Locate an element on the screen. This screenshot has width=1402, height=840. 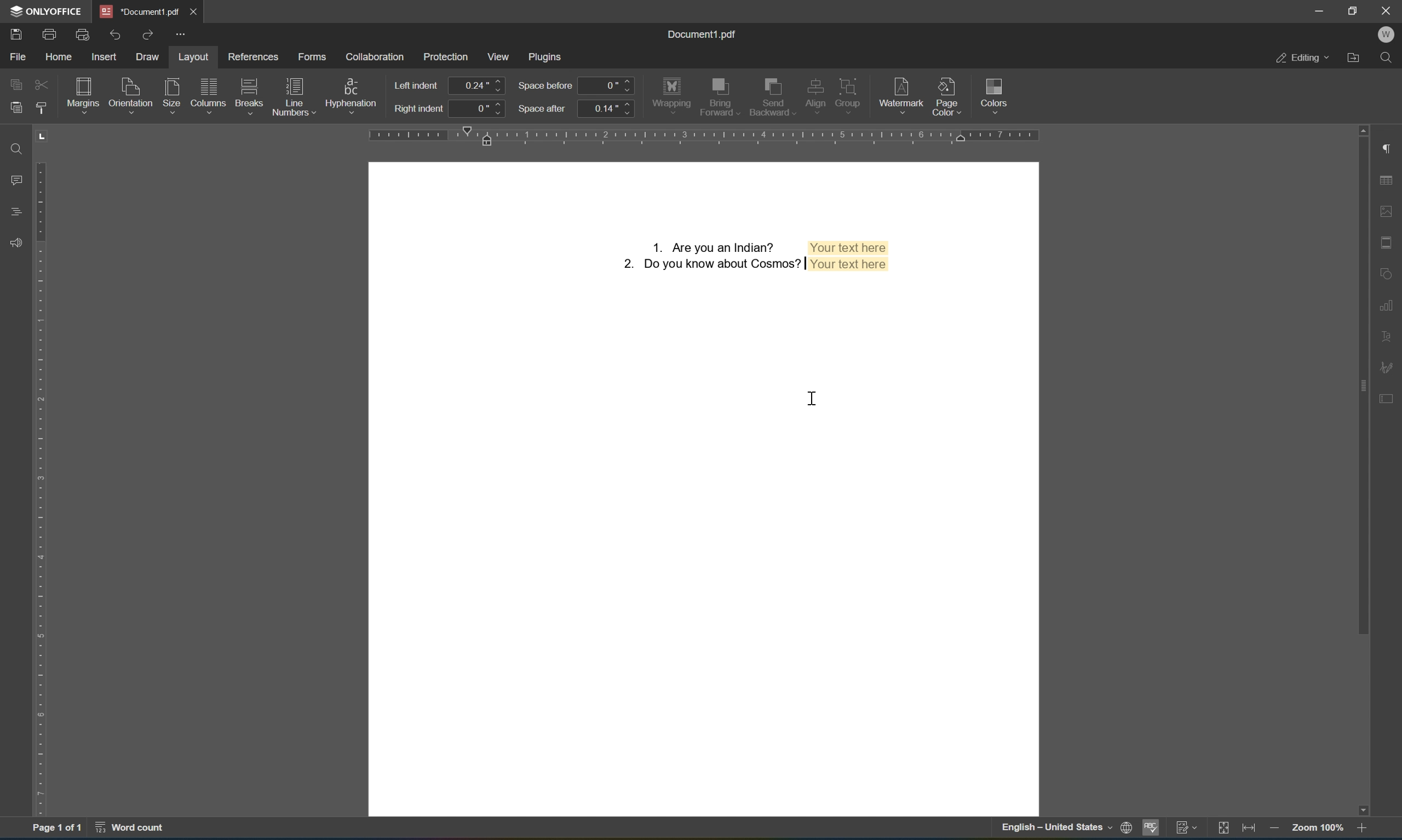
comments is located at coordinates (18, 180).